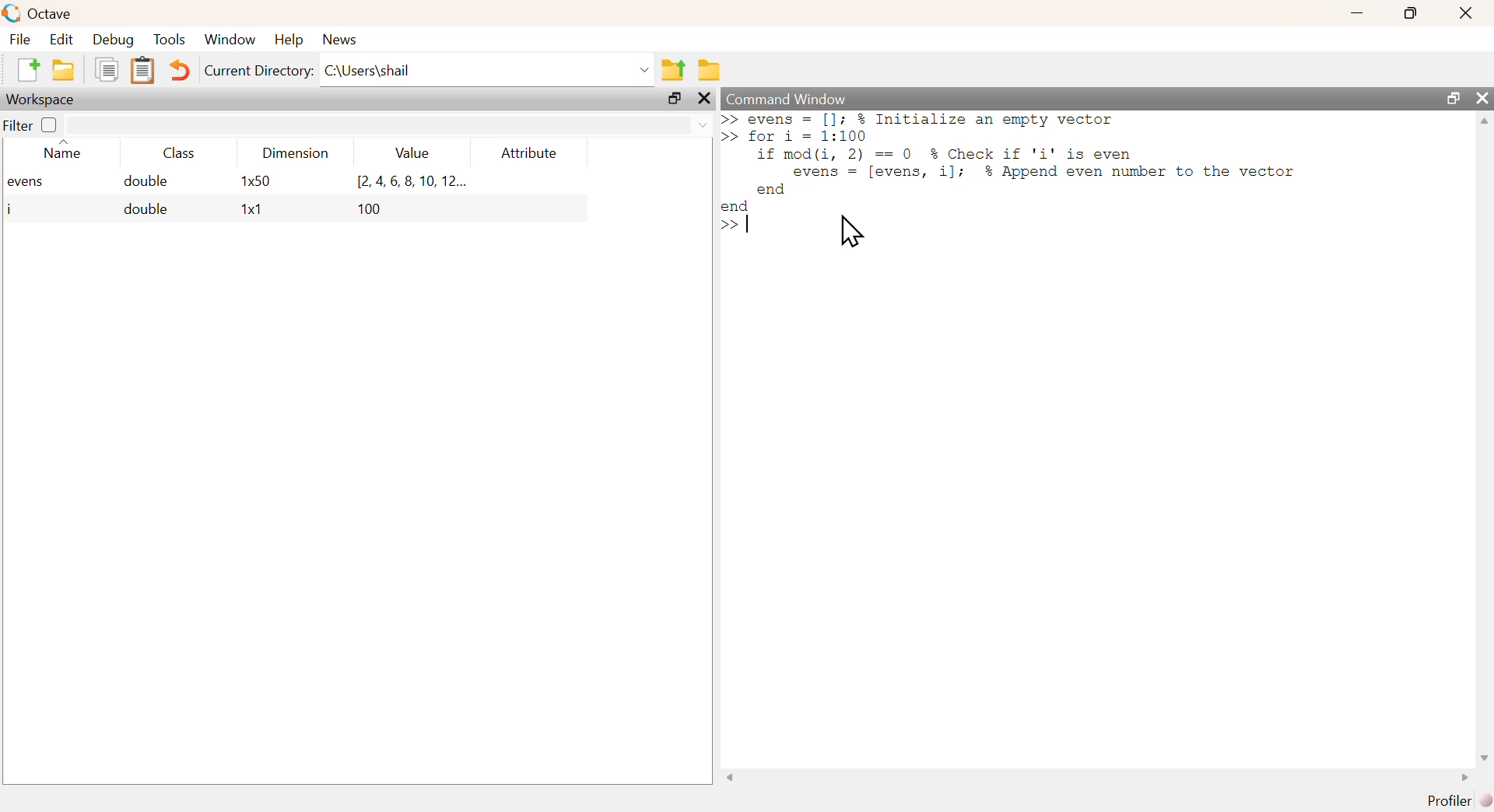  Describe the element at coordinates (21, 40) in the screenshot. I see `file` at that location.